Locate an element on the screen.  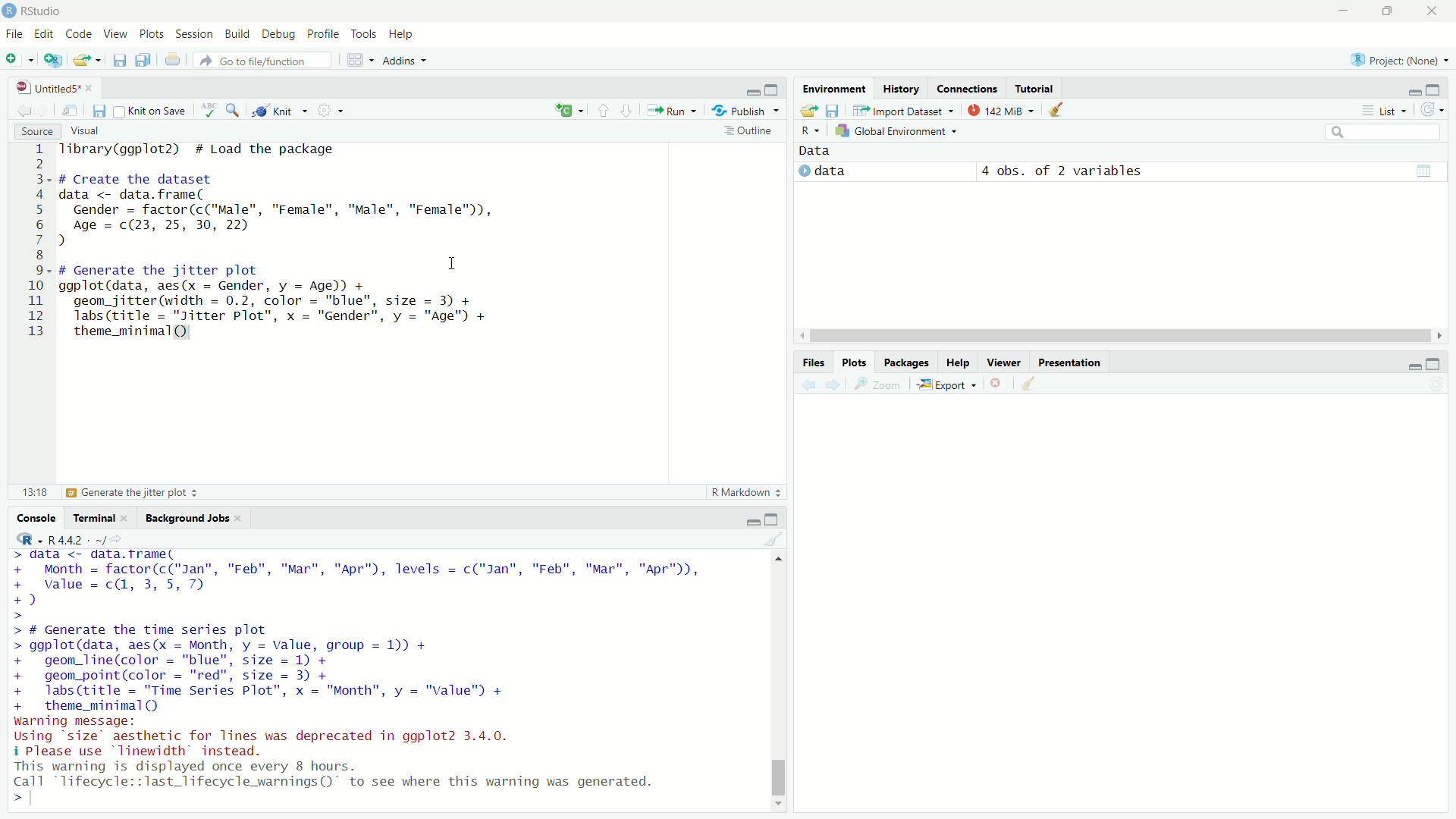
outline is located at coordinates (748, 131).